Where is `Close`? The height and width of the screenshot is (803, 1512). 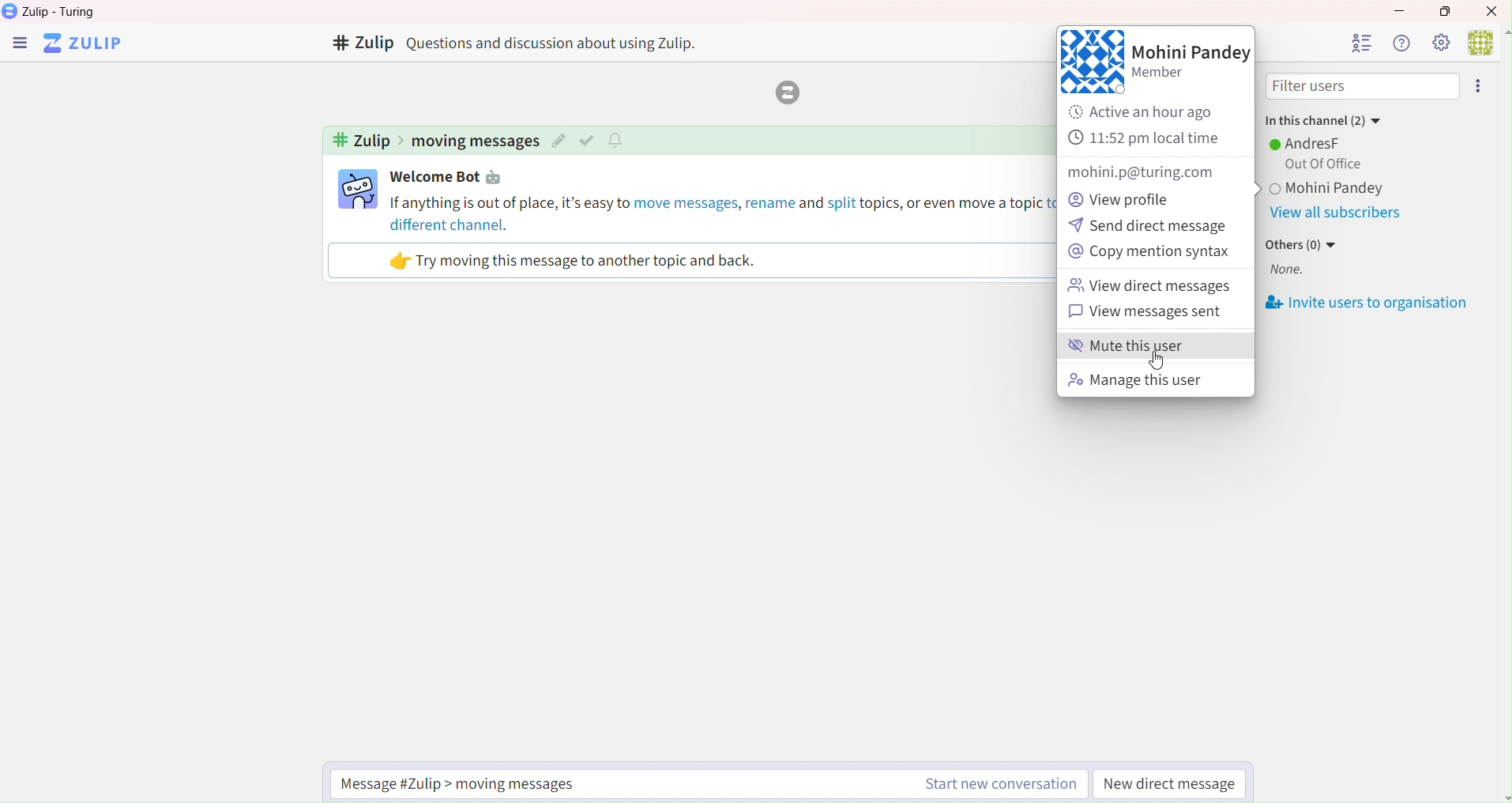 Close is located at coordinates (1493, 10).